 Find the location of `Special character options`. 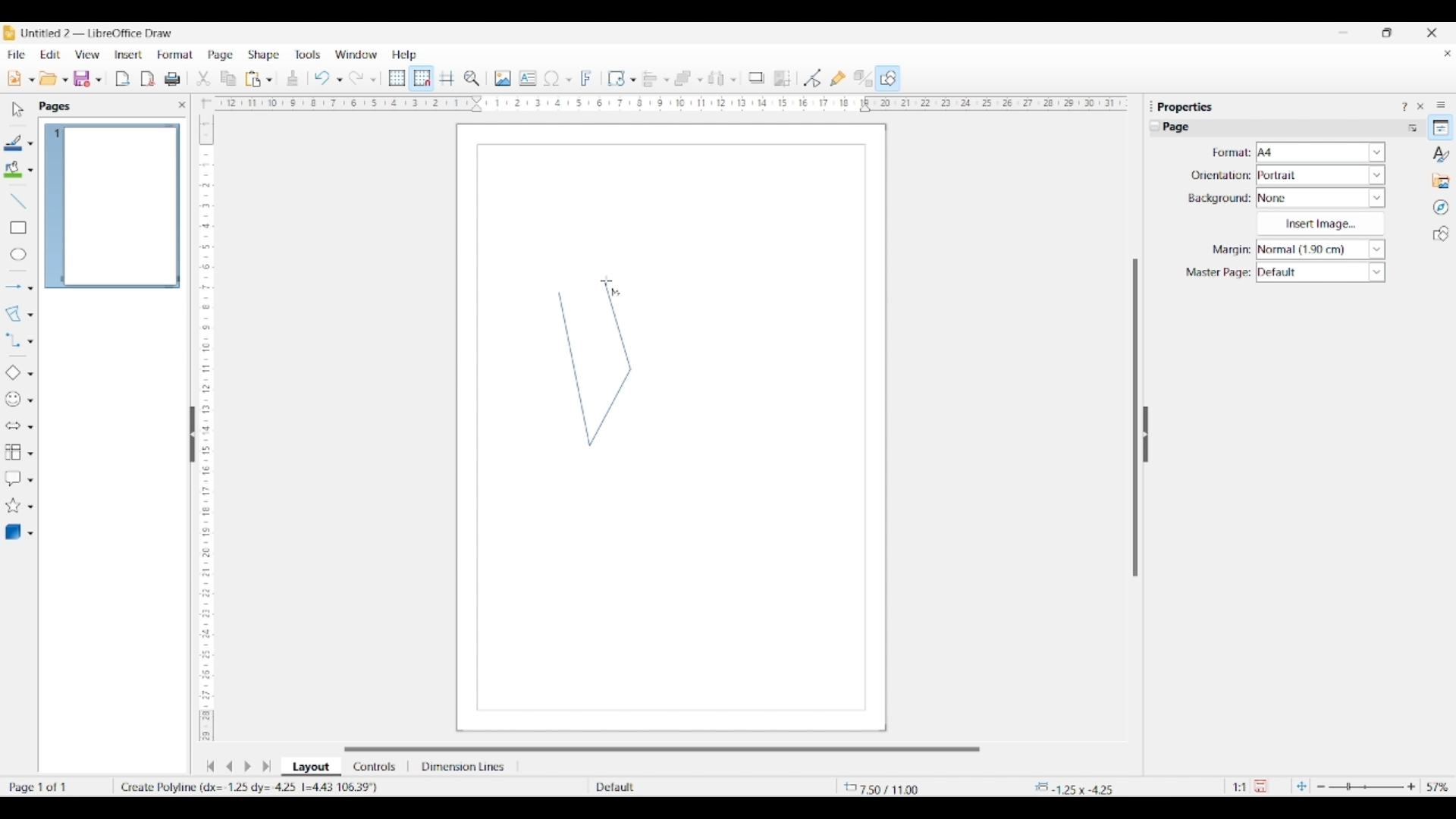

Special character options is located at coordinates (569, 80).